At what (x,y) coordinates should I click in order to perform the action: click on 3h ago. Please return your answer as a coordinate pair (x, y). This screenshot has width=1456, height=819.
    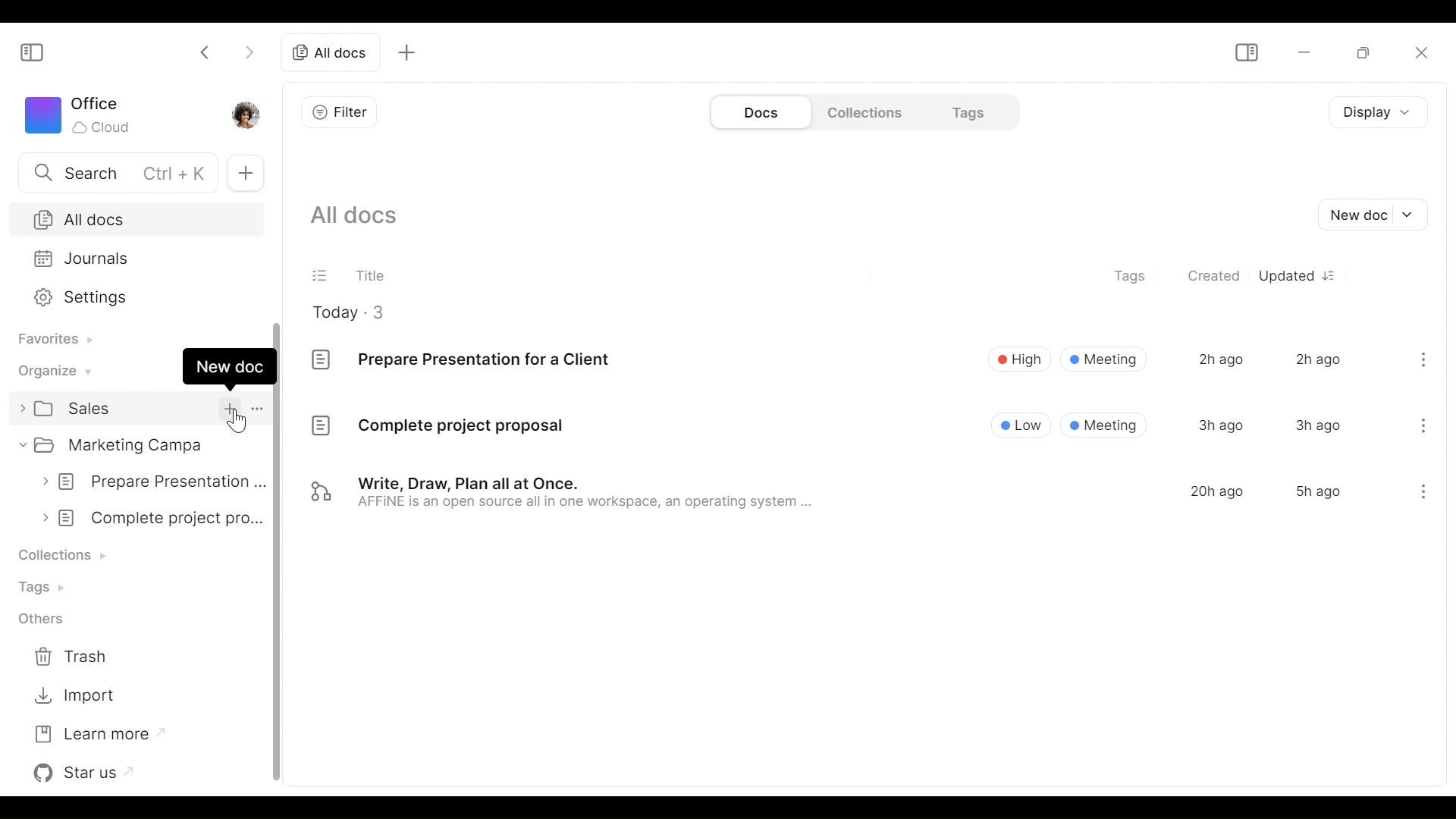
    Looking at the image, I should click on (1317, 425).